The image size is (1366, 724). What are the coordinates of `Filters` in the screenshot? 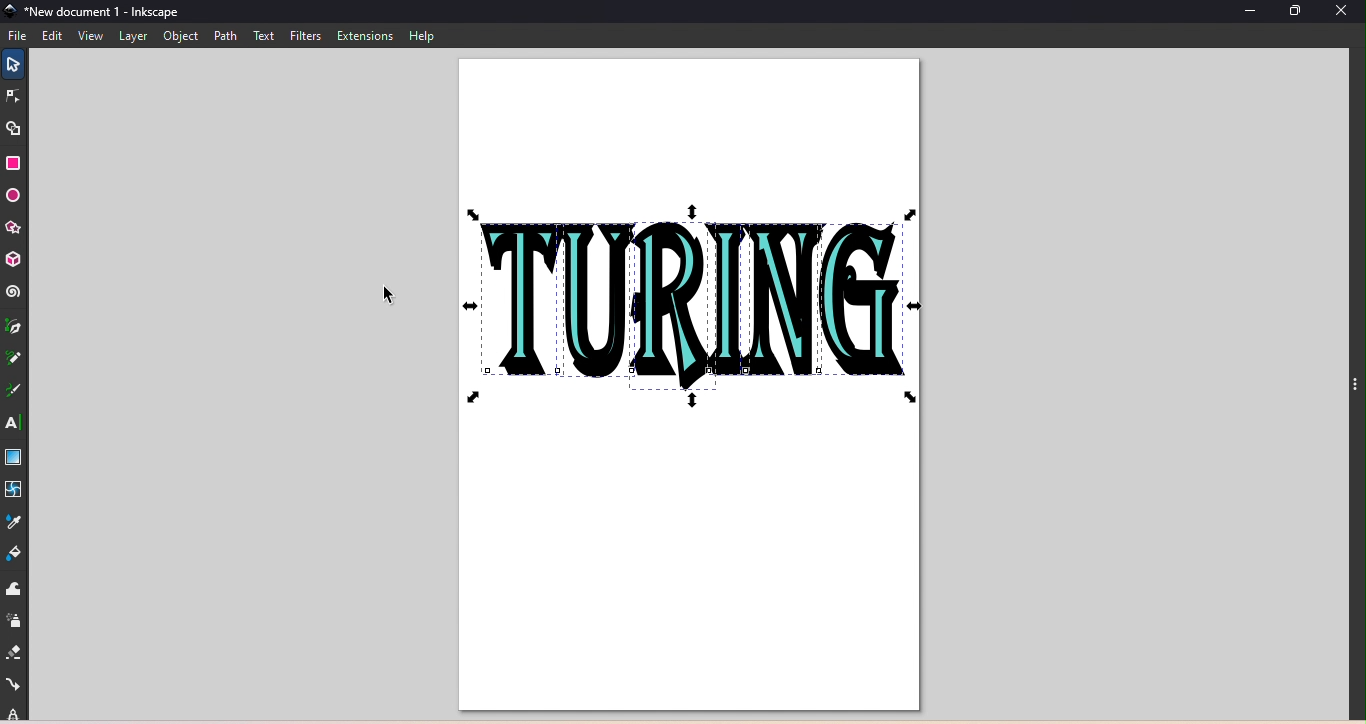 It's located at (304, 34).